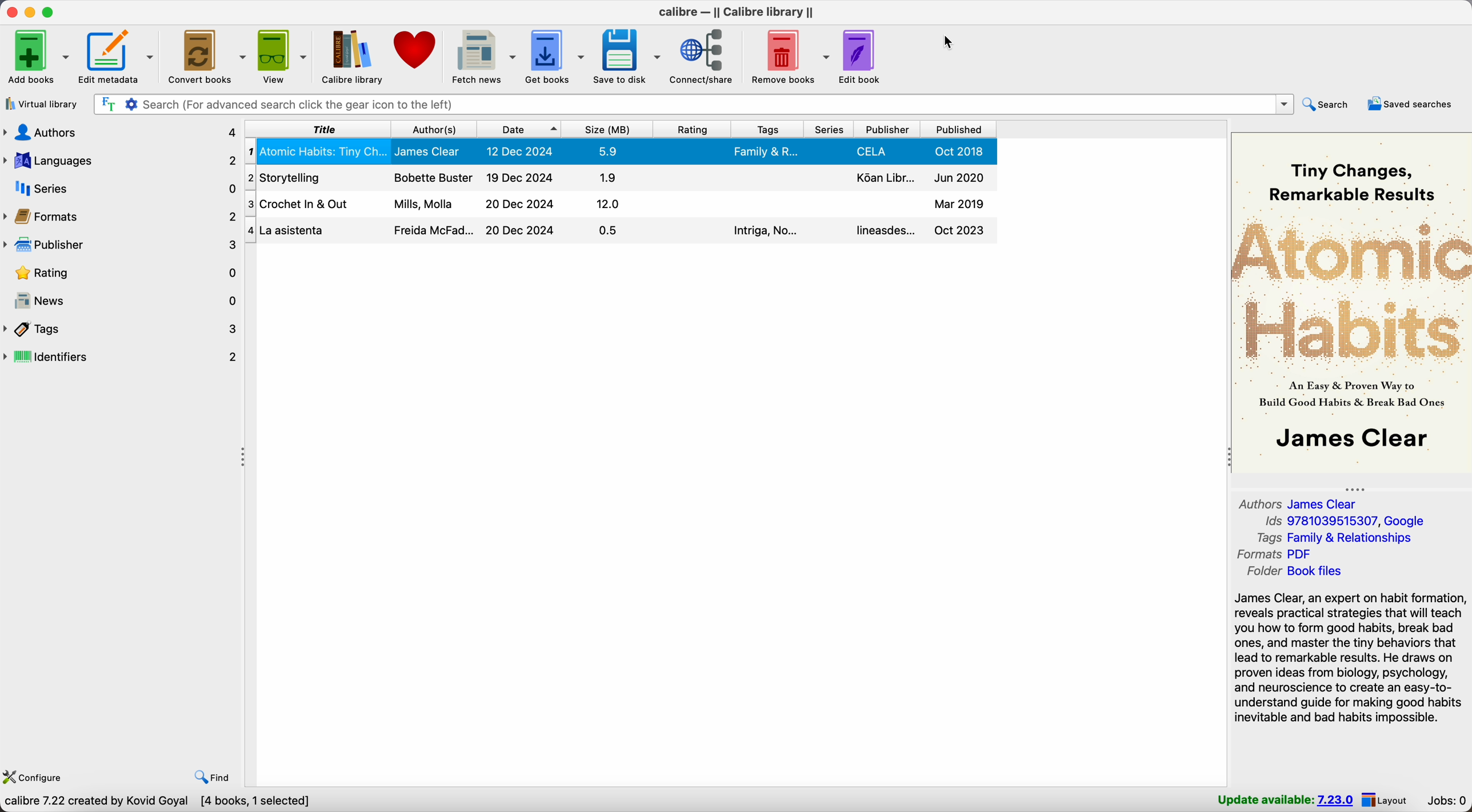 The height and width of the screenshot is (812, 1472). What do you see at coordinates (831, 129) in the screenshot?
I see `series` at bounding box center [831, 129].